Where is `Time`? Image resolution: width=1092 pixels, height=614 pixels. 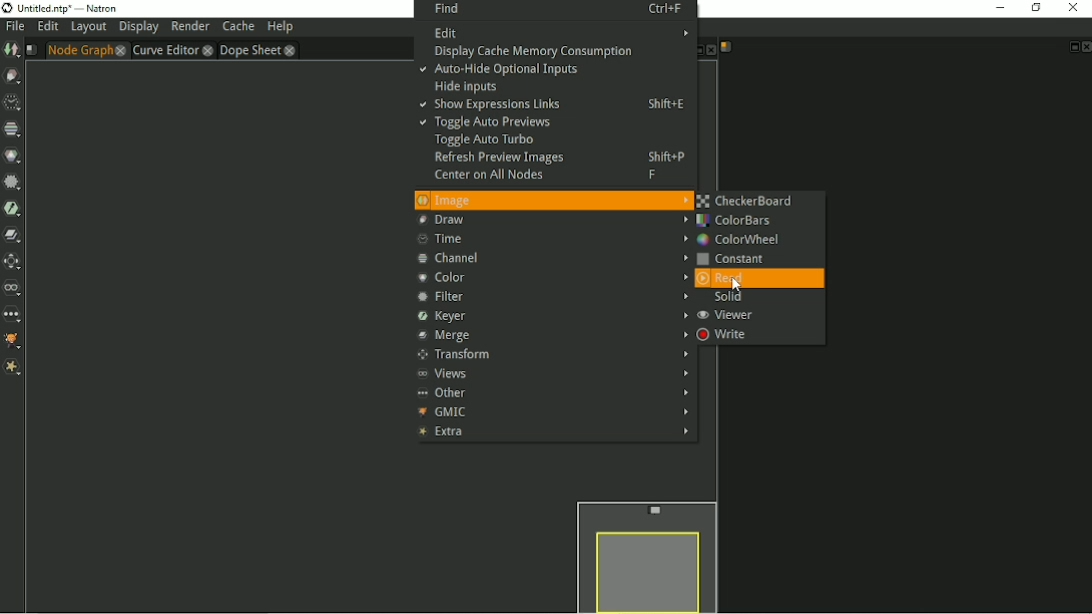 Time is located at coordinates (549, 239).